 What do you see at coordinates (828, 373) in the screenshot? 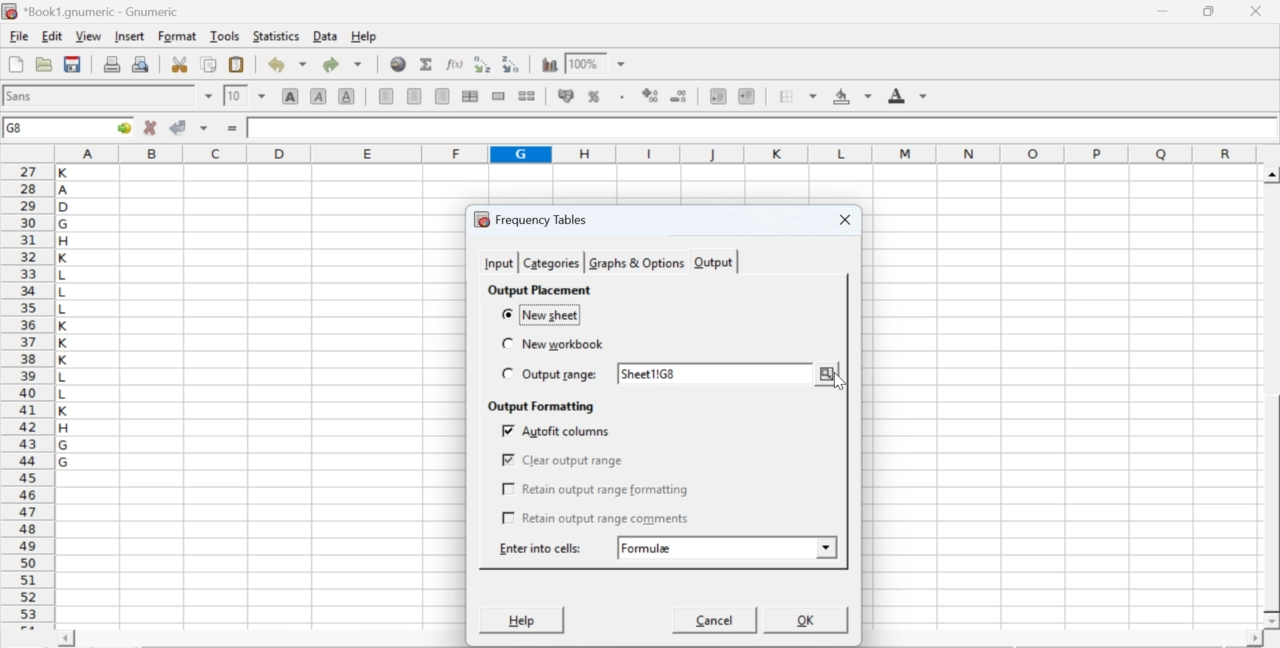
I see `more` at bounding box center [828, 373].